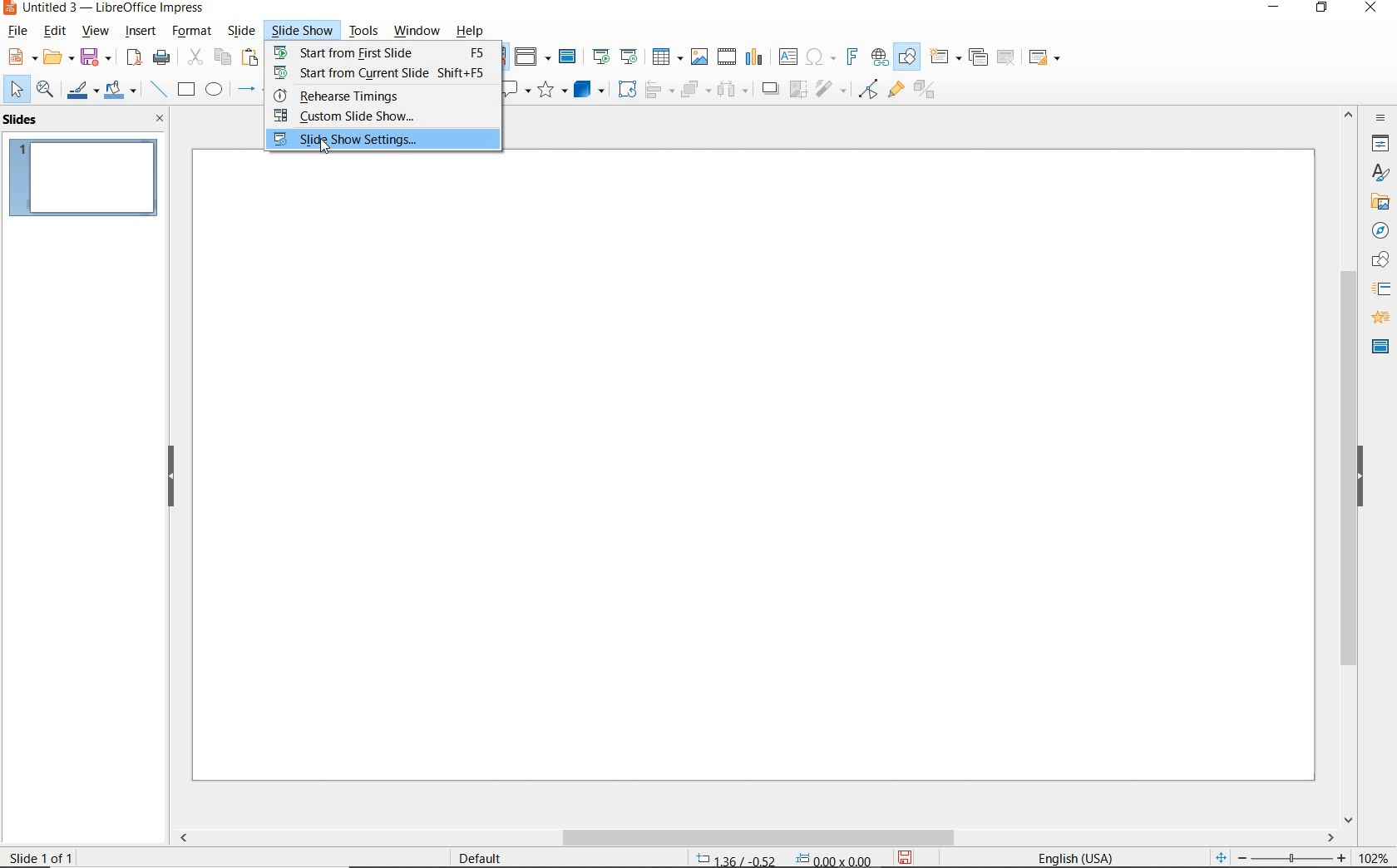 The height and width of the screenshot is (868, 1397). Describe the element at coordinates (13, 88) in the screenshot. I see `SELECT` at that location.